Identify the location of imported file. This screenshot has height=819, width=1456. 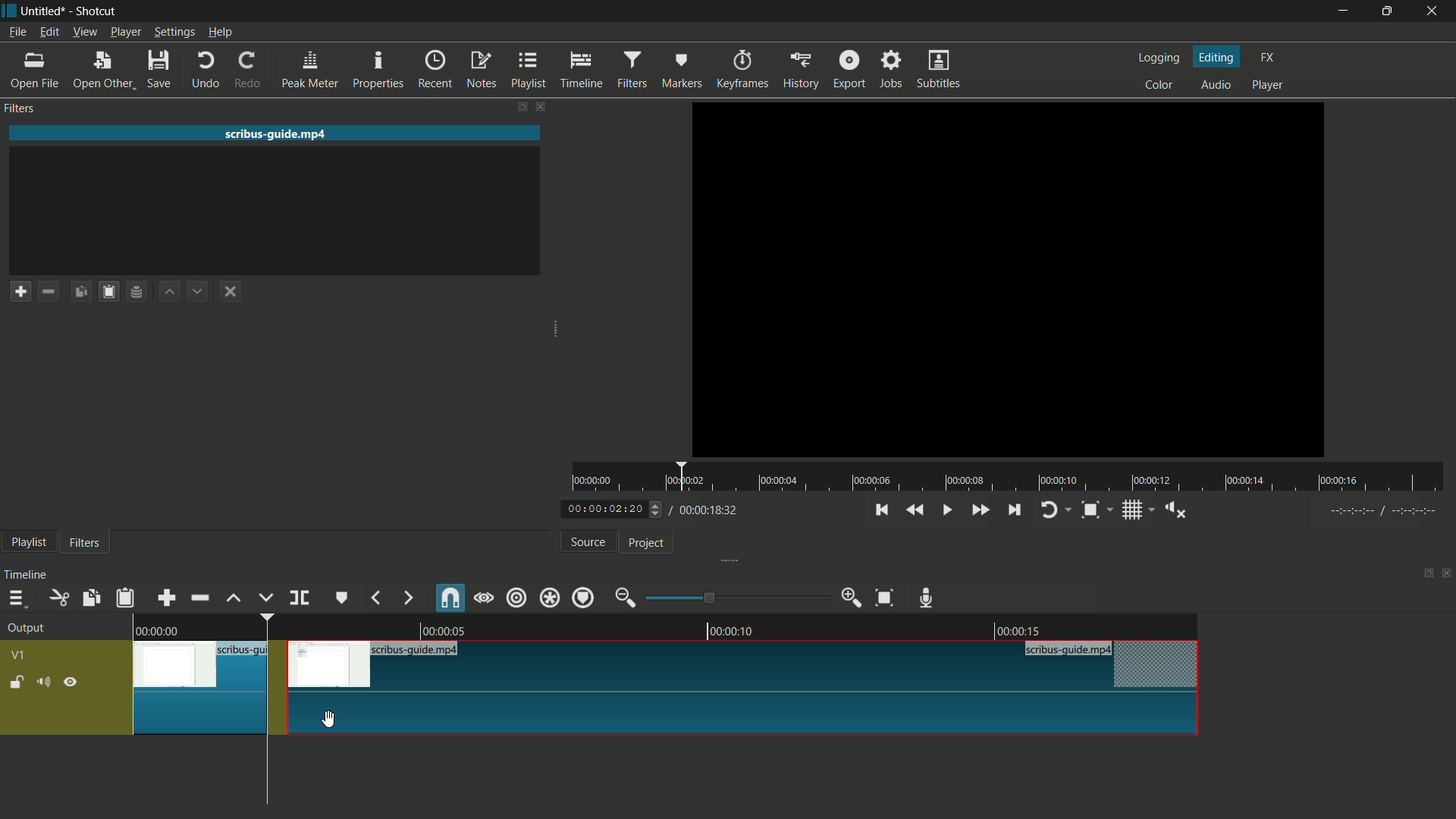
(1009, 279).